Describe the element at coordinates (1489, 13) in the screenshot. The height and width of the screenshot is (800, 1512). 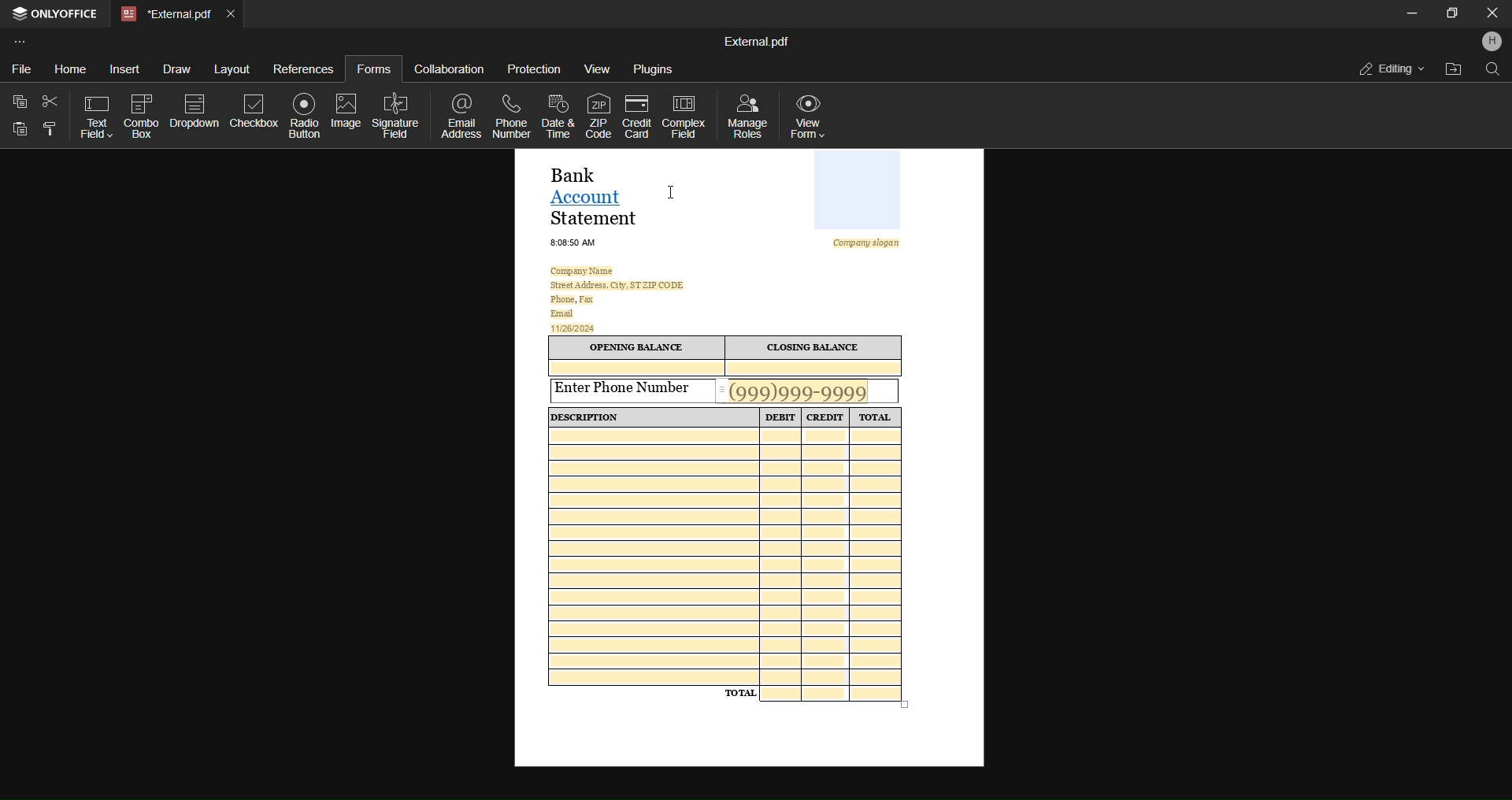
I see `Close` at that location.